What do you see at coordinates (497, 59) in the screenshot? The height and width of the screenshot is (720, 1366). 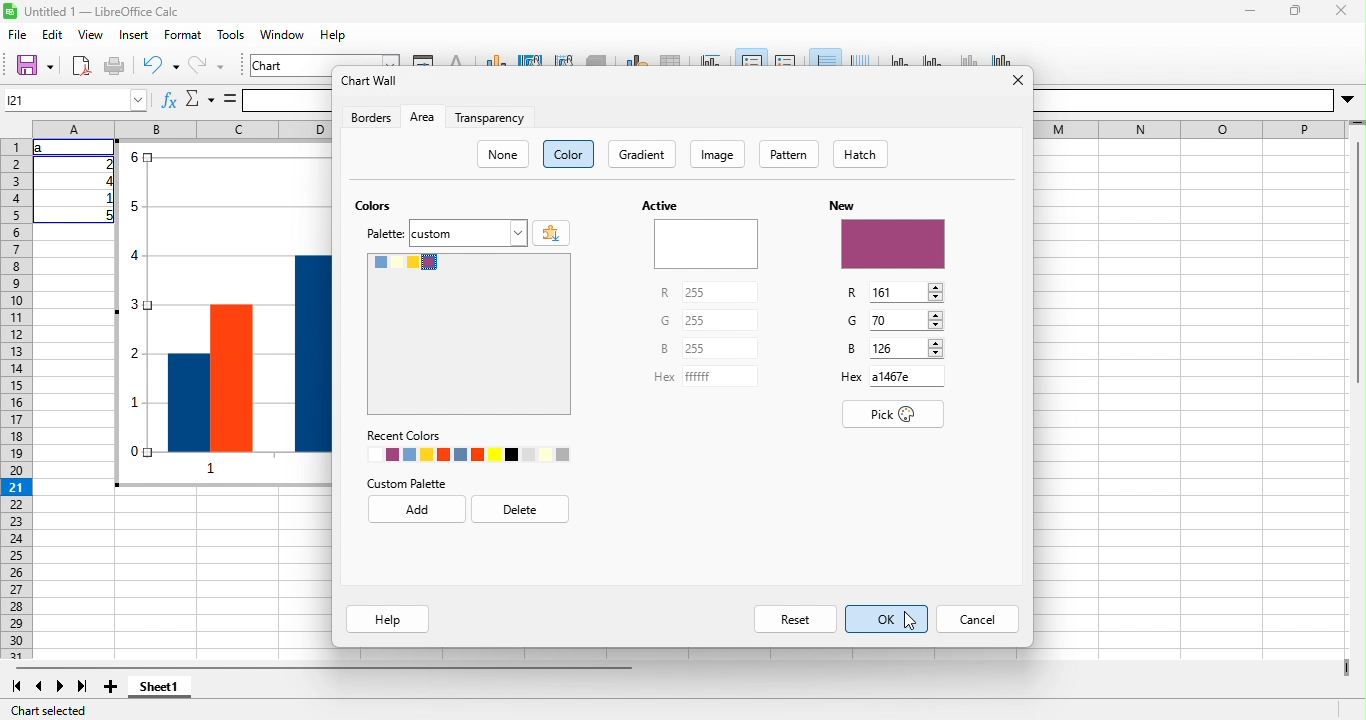 I see `chart type` at bounding box center [497, 59].